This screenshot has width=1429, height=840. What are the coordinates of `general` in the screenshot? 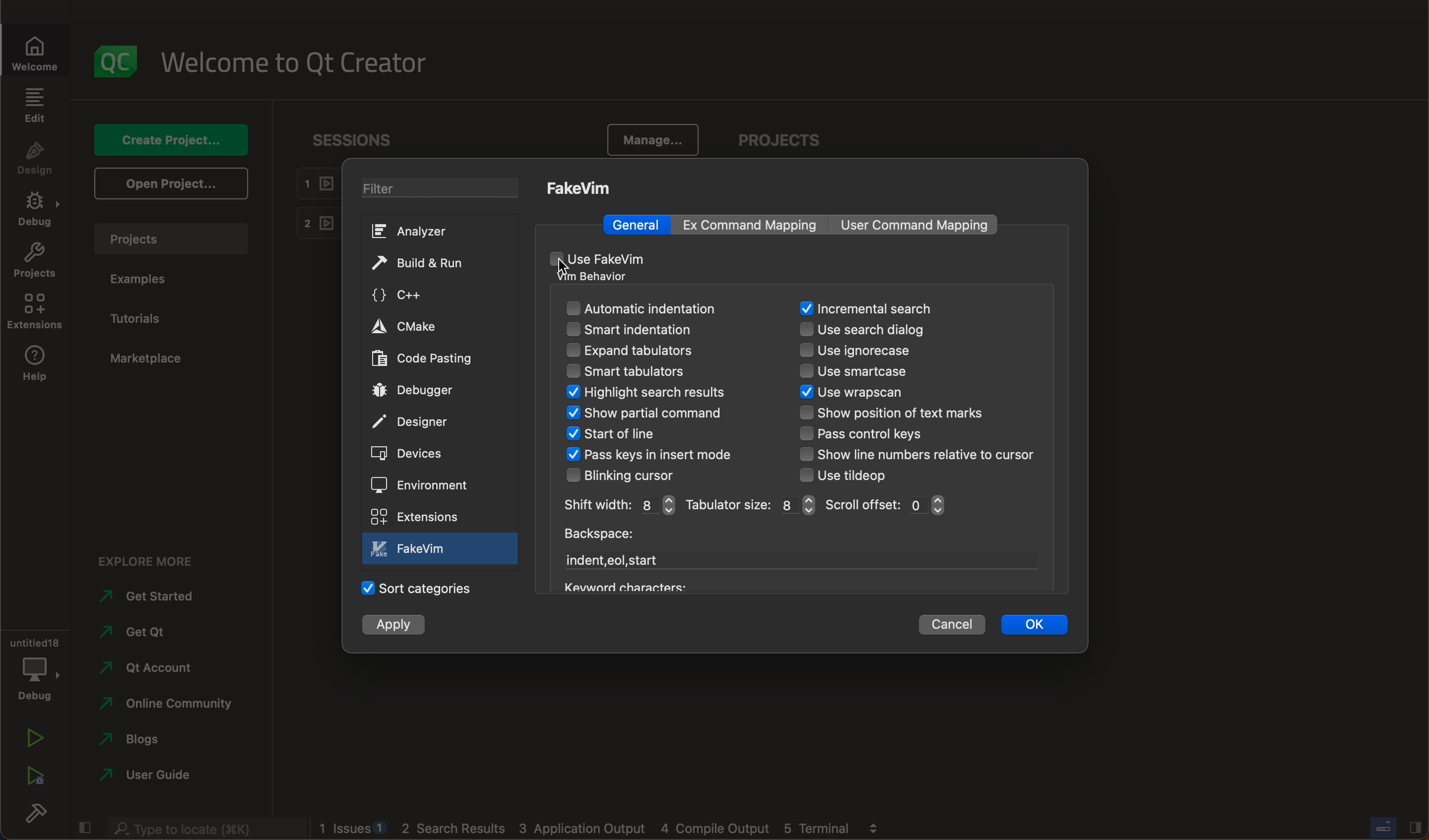 It's located at (640, 224).